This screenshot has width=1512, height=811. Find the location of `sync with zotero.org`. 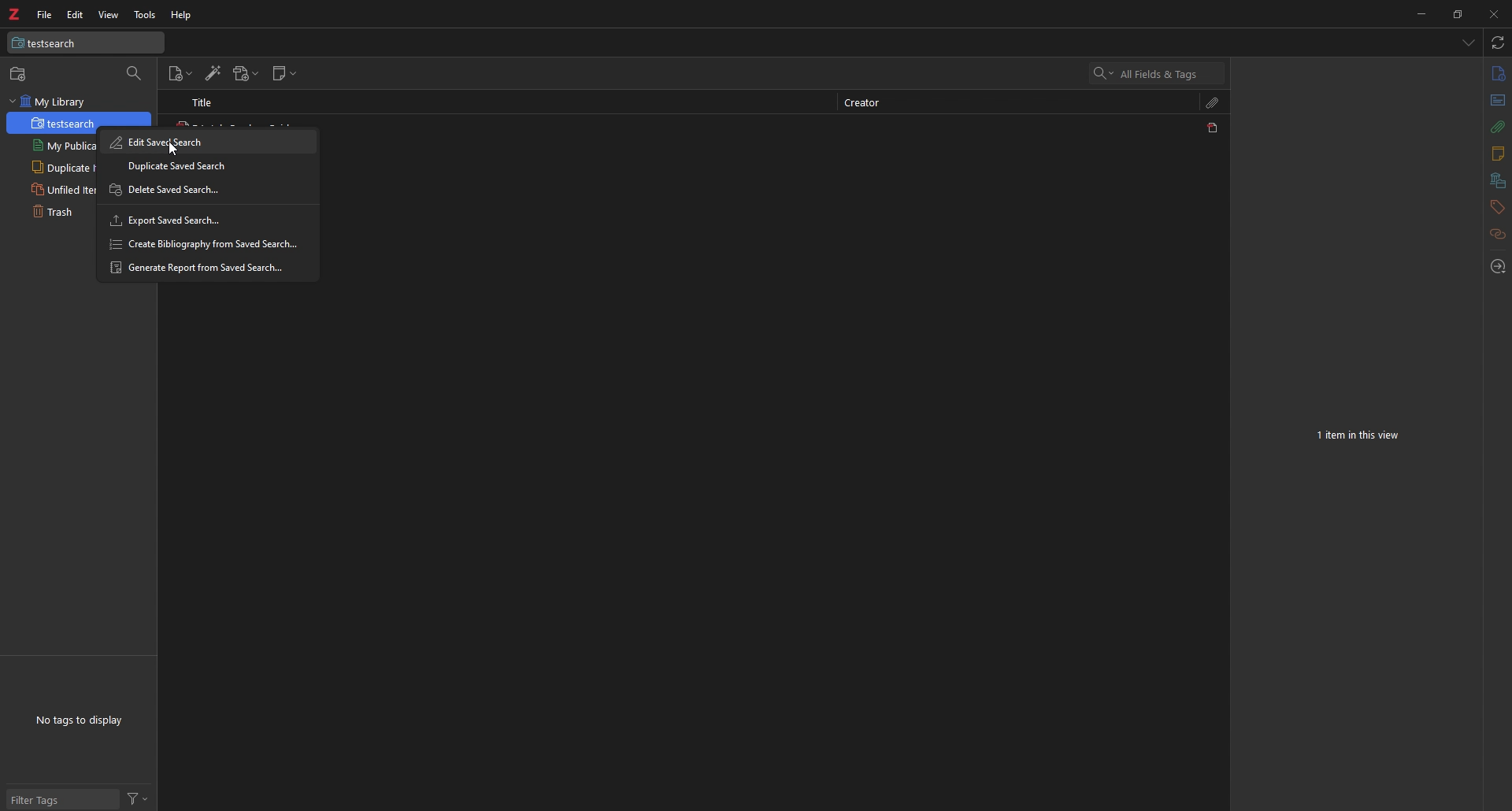

sync with zotero.org is located at coordinates (1499, 42).